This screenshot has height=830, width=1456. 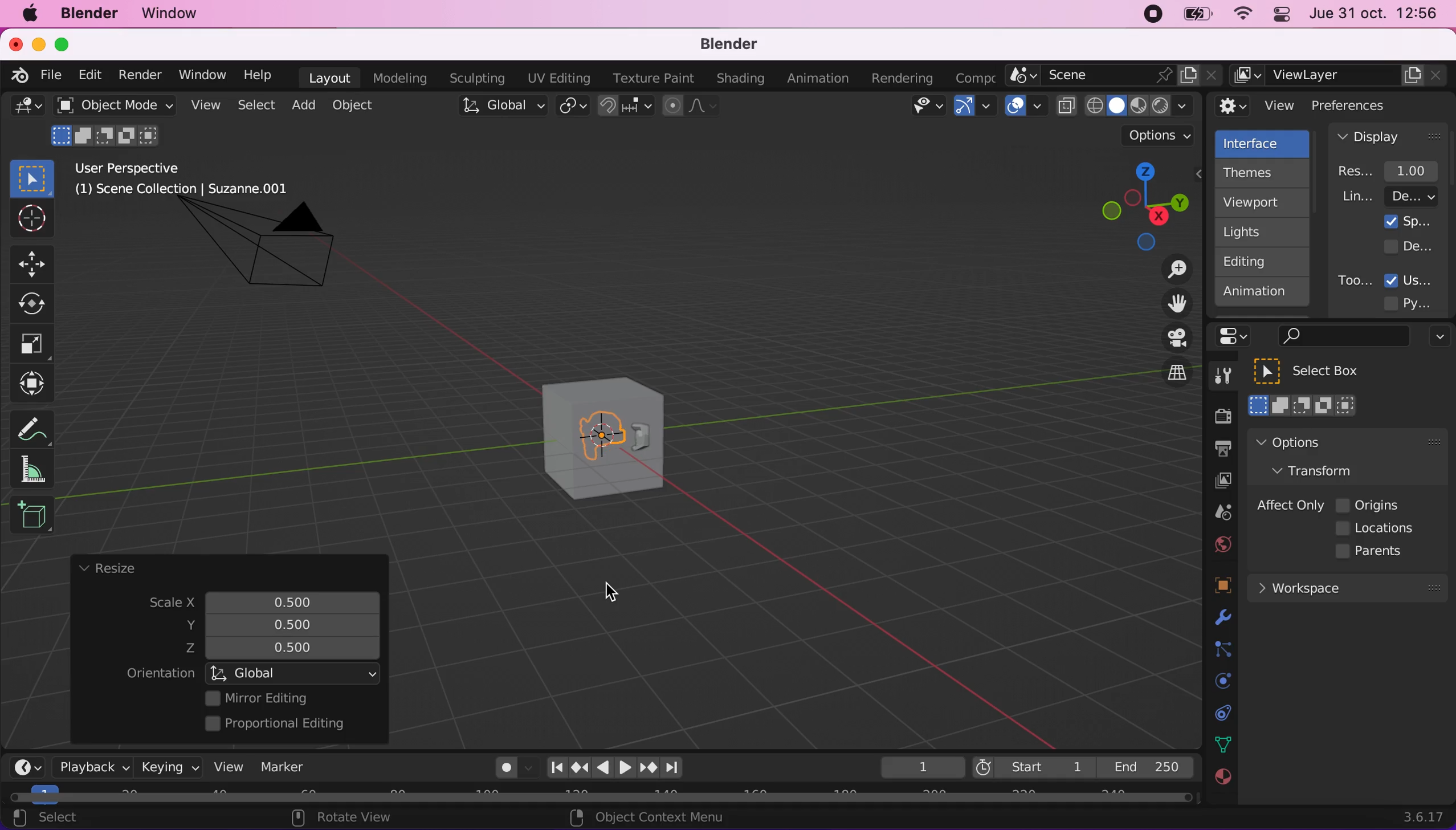 What do you see at coordinates (38, 304) in the screenshot?
I see `` at bounding box center [38, 304].